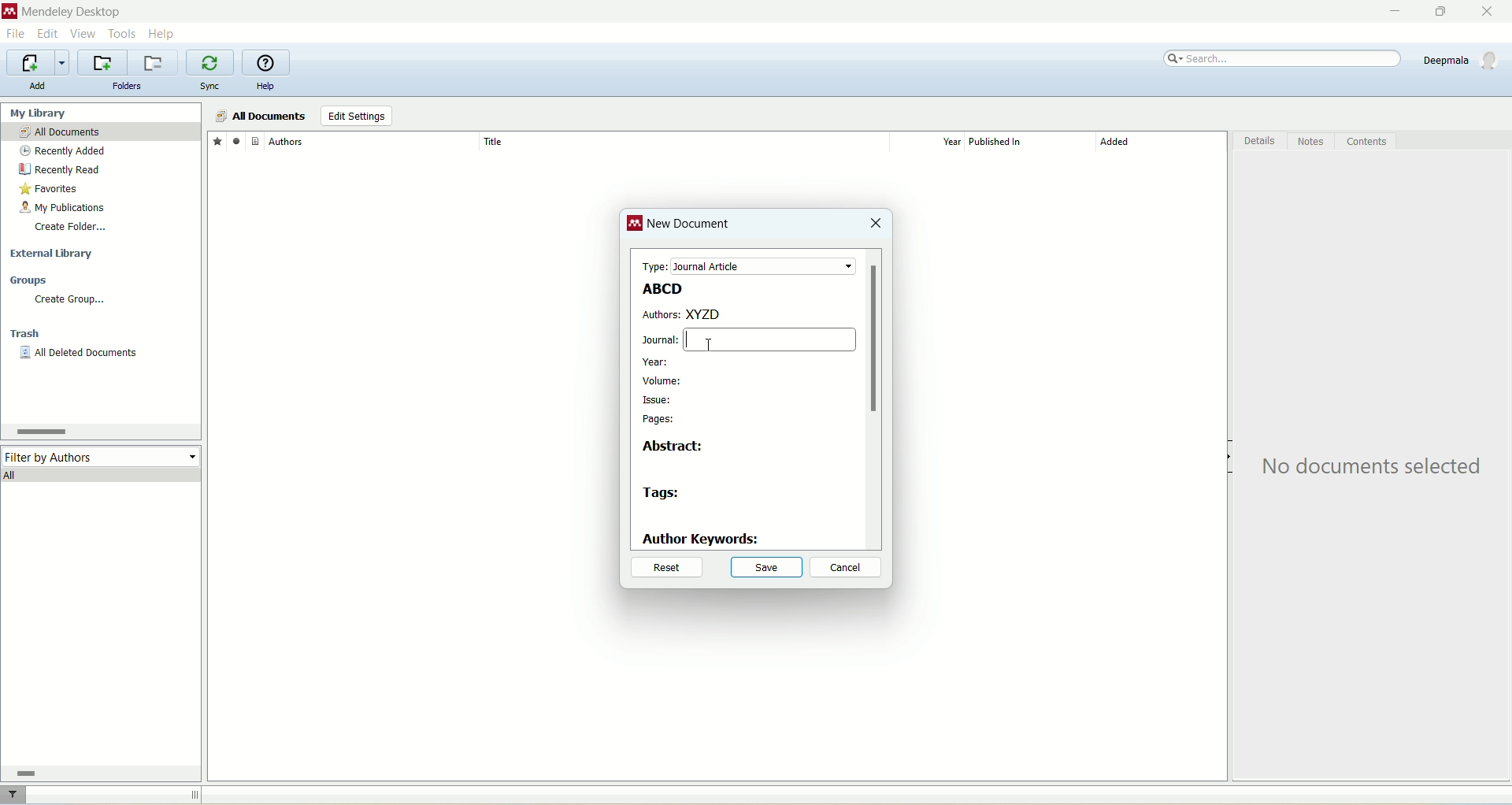 This screenshot has width=1512, height=805. What do you see at coordinates (1261, 143) in the screenshot?
I see `details` at bounding box center [1261, 143].